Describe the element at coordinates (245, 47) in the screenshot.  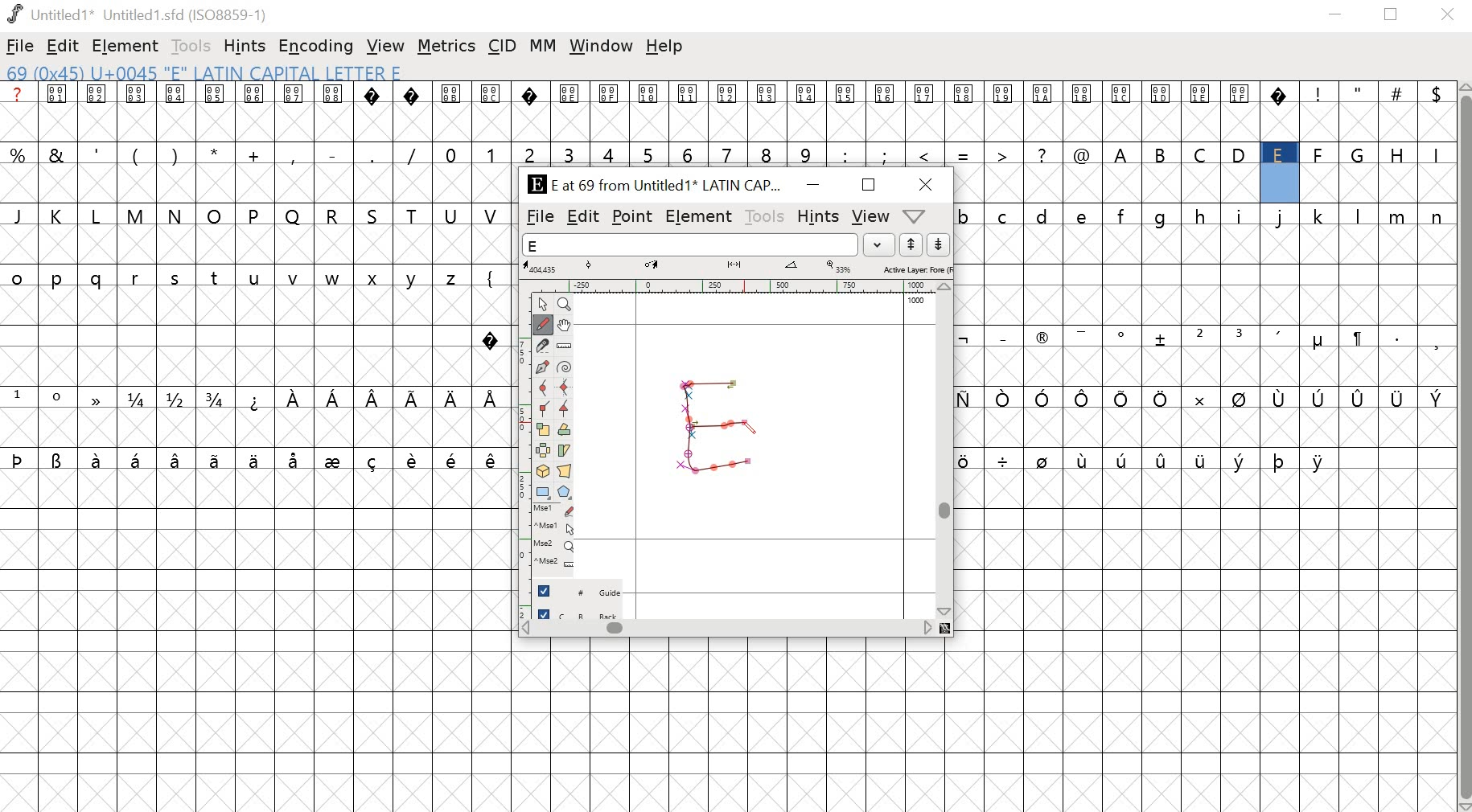
I see `hints` at that location.